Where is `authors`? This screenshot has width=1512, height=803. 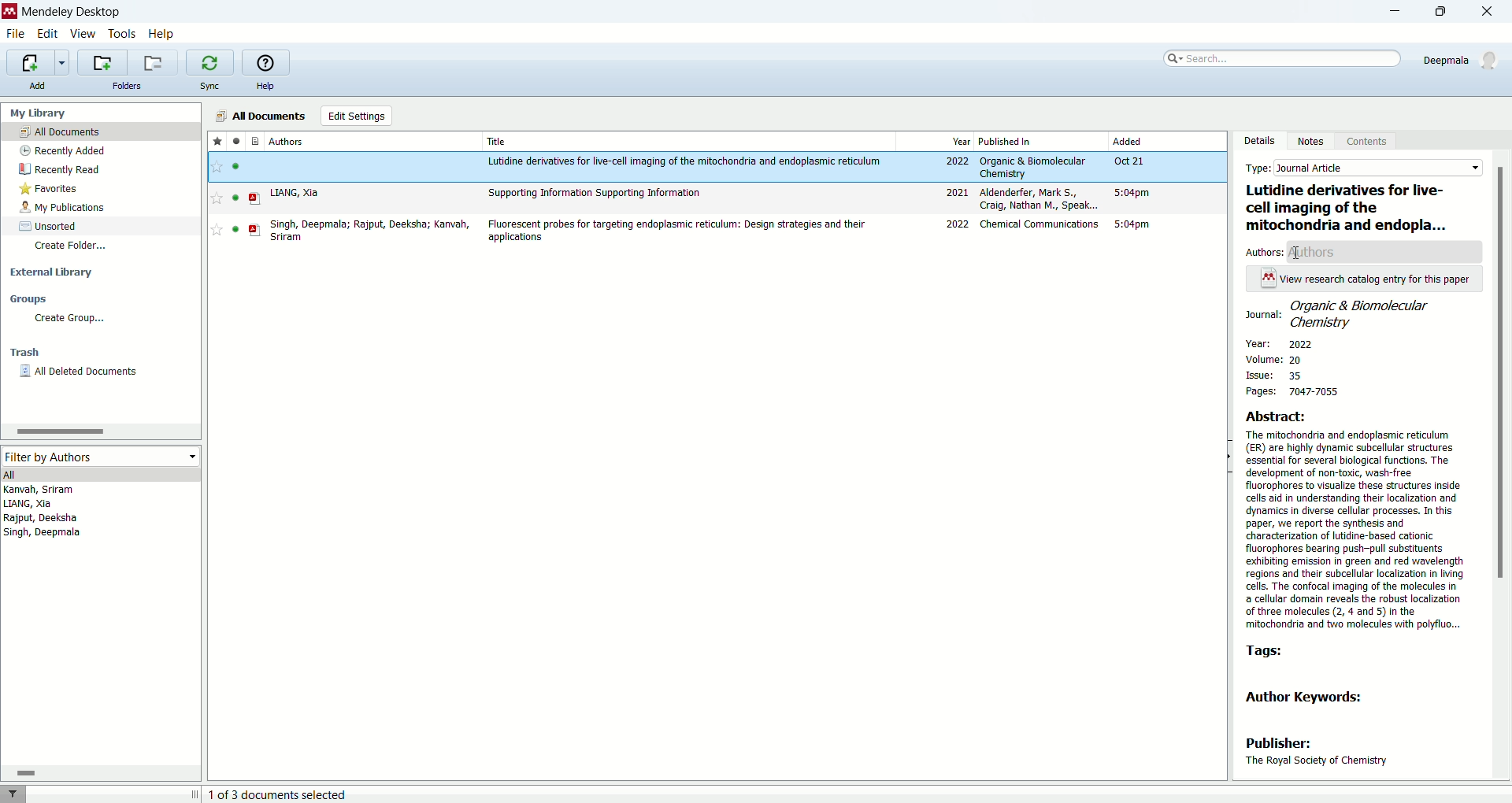
authors is located at coordinates (287, 139).